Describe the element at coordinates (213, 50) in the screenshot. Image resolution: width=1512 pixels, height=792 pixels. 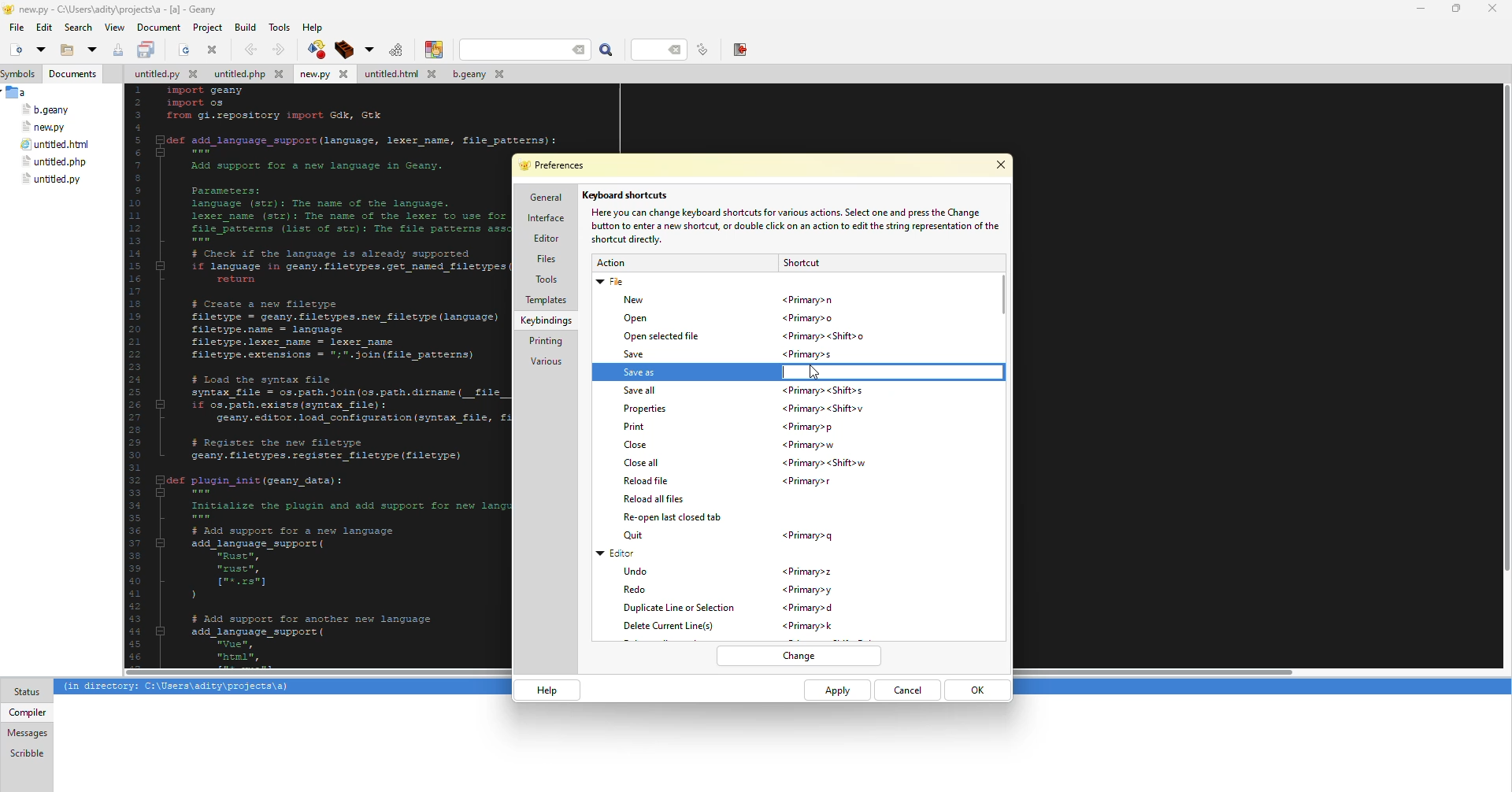
I see `close` at that location.